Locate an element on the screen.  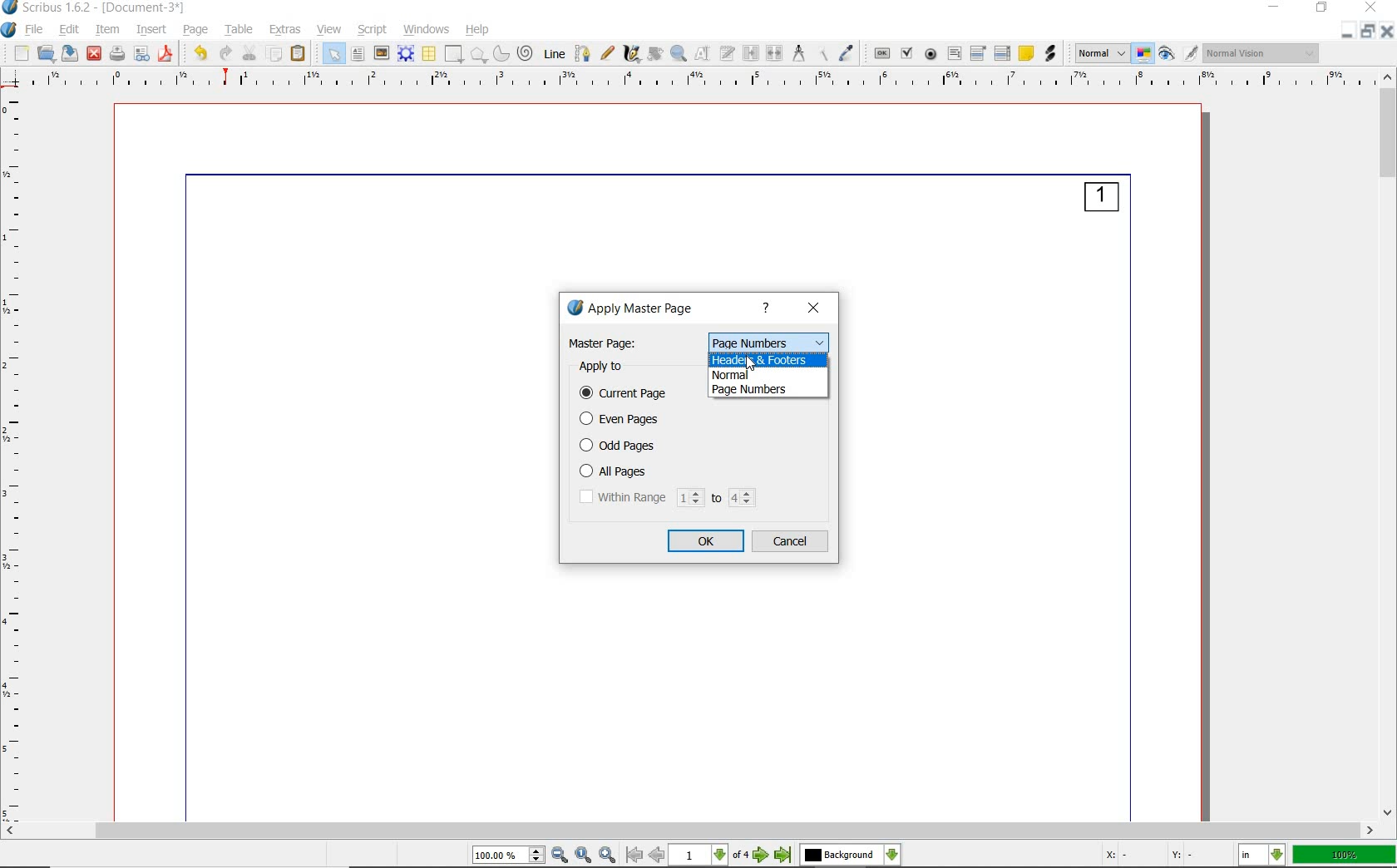
unlink text frames is located at coordinates (775, 53).